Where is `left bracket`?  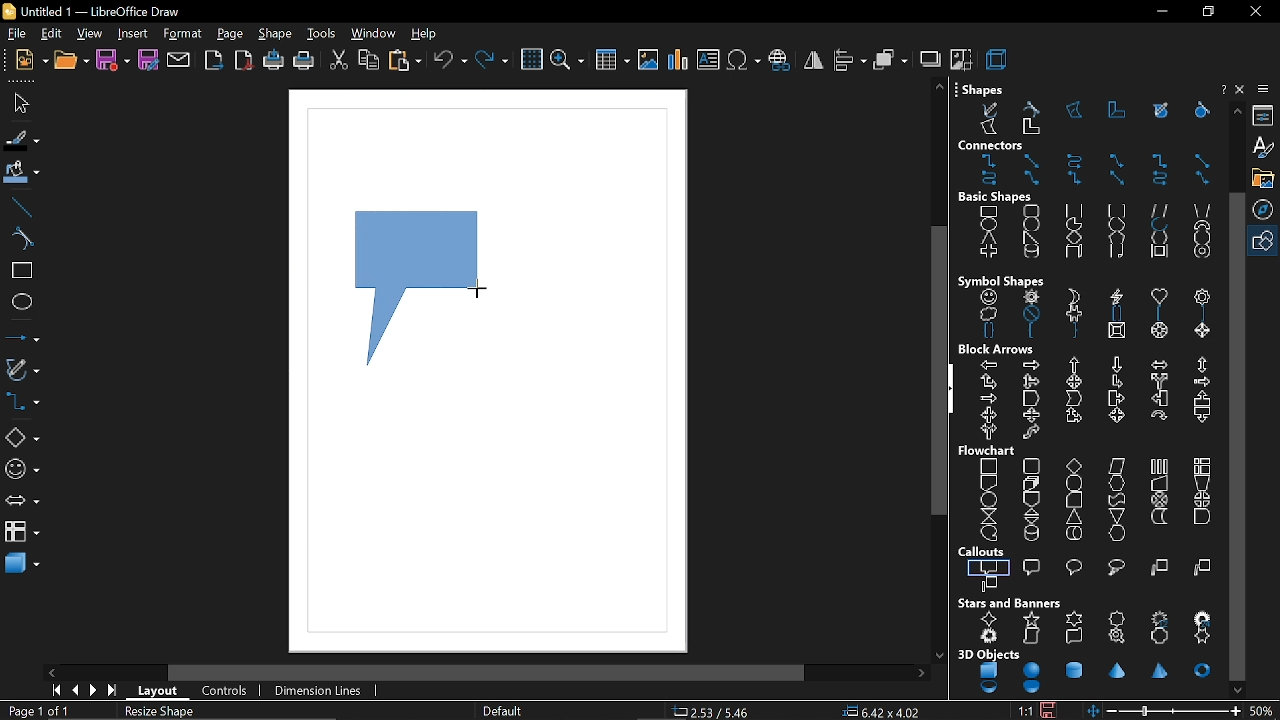
left bracket is located at coordinates (1159, 315).